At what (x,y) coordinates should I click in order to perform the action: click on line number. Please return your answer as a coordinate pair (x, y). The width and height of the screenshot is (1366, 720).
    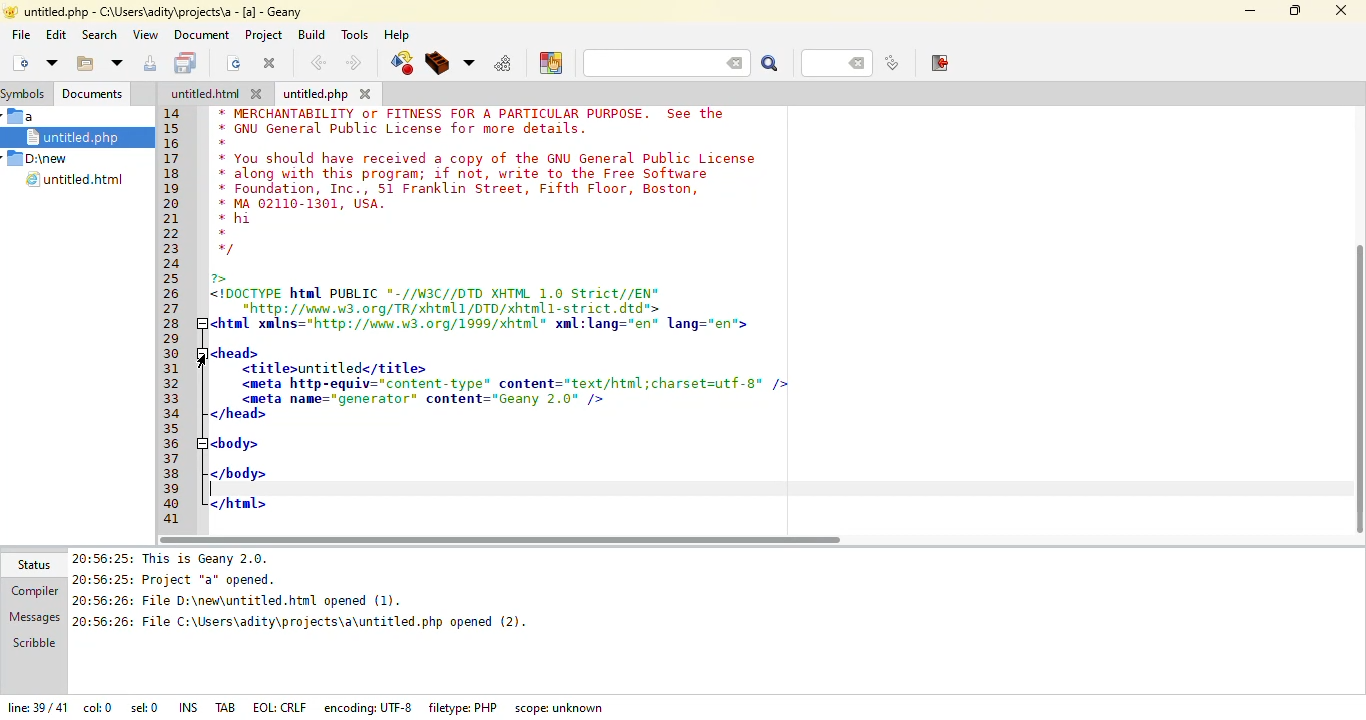
    Looking at the image, I should click on (822, 64).